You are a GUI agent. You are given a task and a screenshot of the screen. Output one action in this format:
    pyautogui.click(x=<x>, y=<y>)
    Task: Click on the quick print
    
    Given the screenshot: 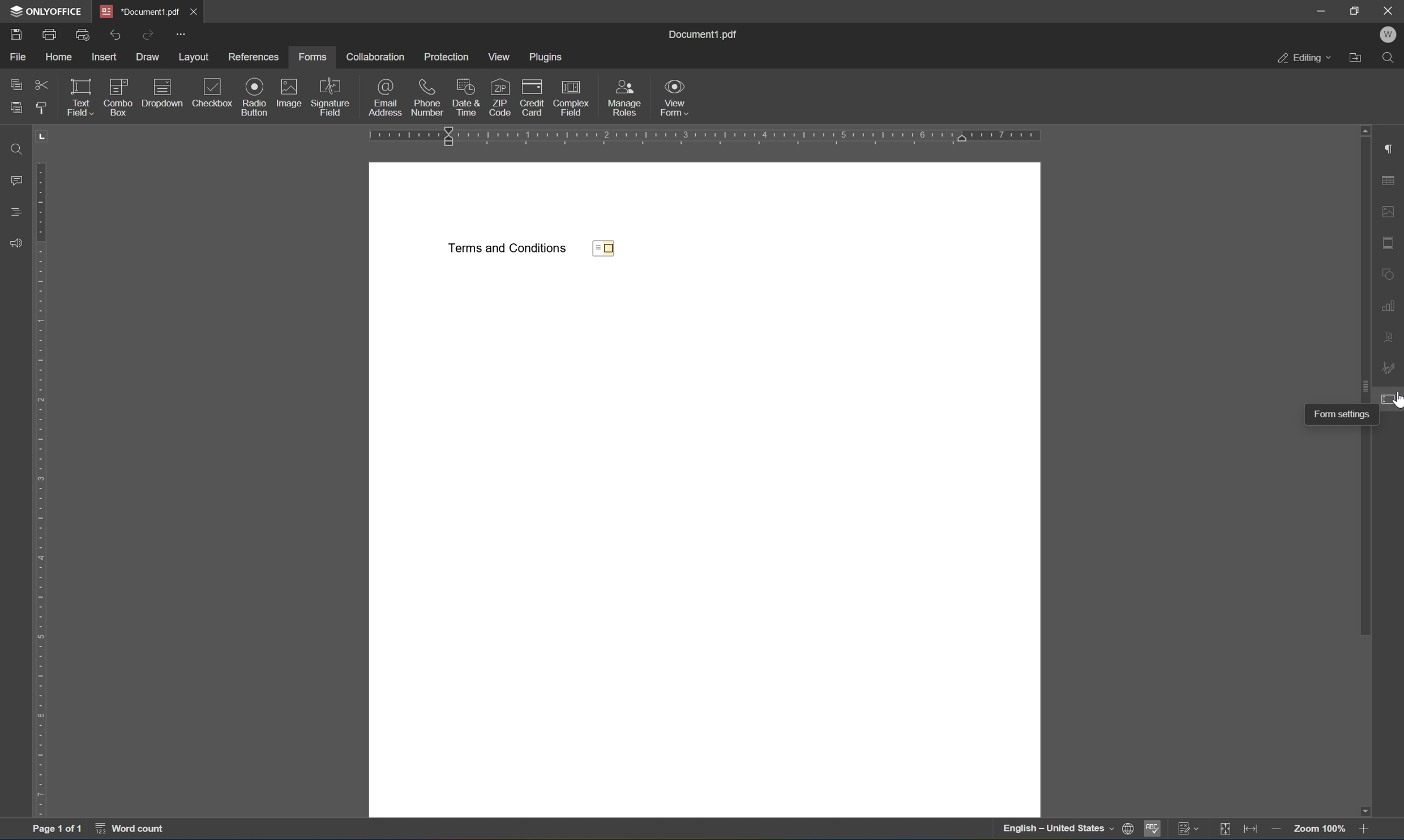 What is the action you would take?
    pyautogui.click(x=83, y=34)
    